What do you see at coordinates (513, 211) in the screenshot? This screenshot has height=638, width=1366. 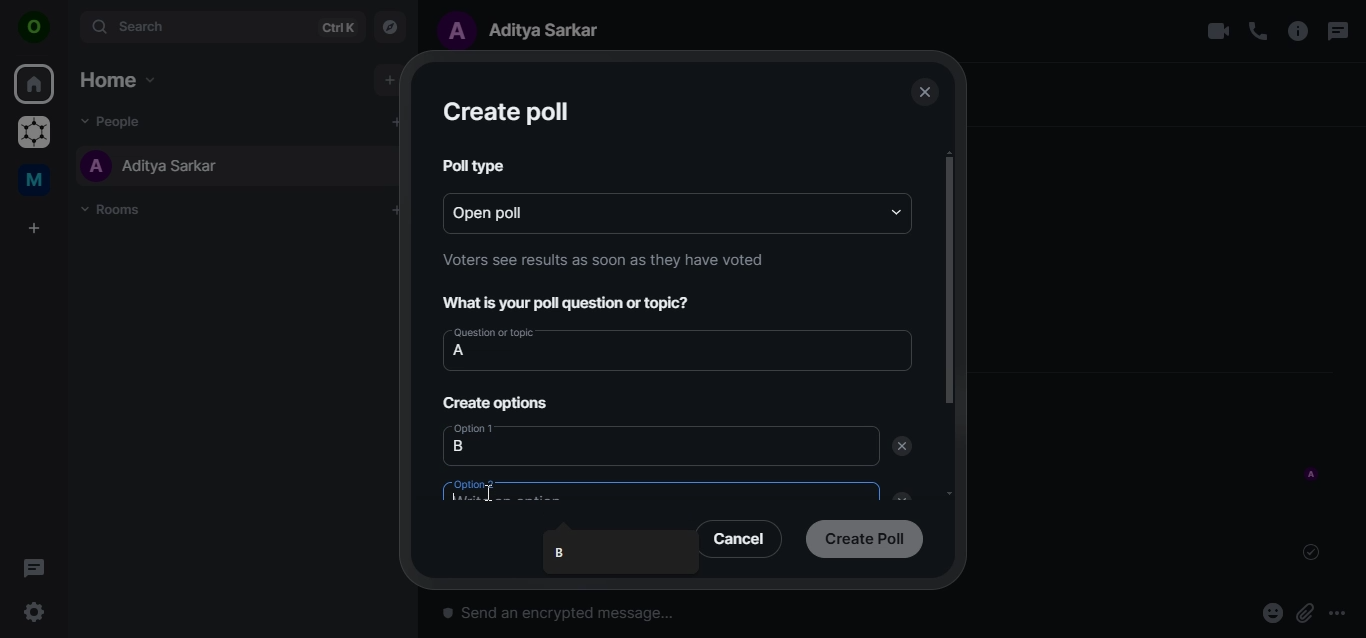 I see `open poll` at bounding box center [513, 211].